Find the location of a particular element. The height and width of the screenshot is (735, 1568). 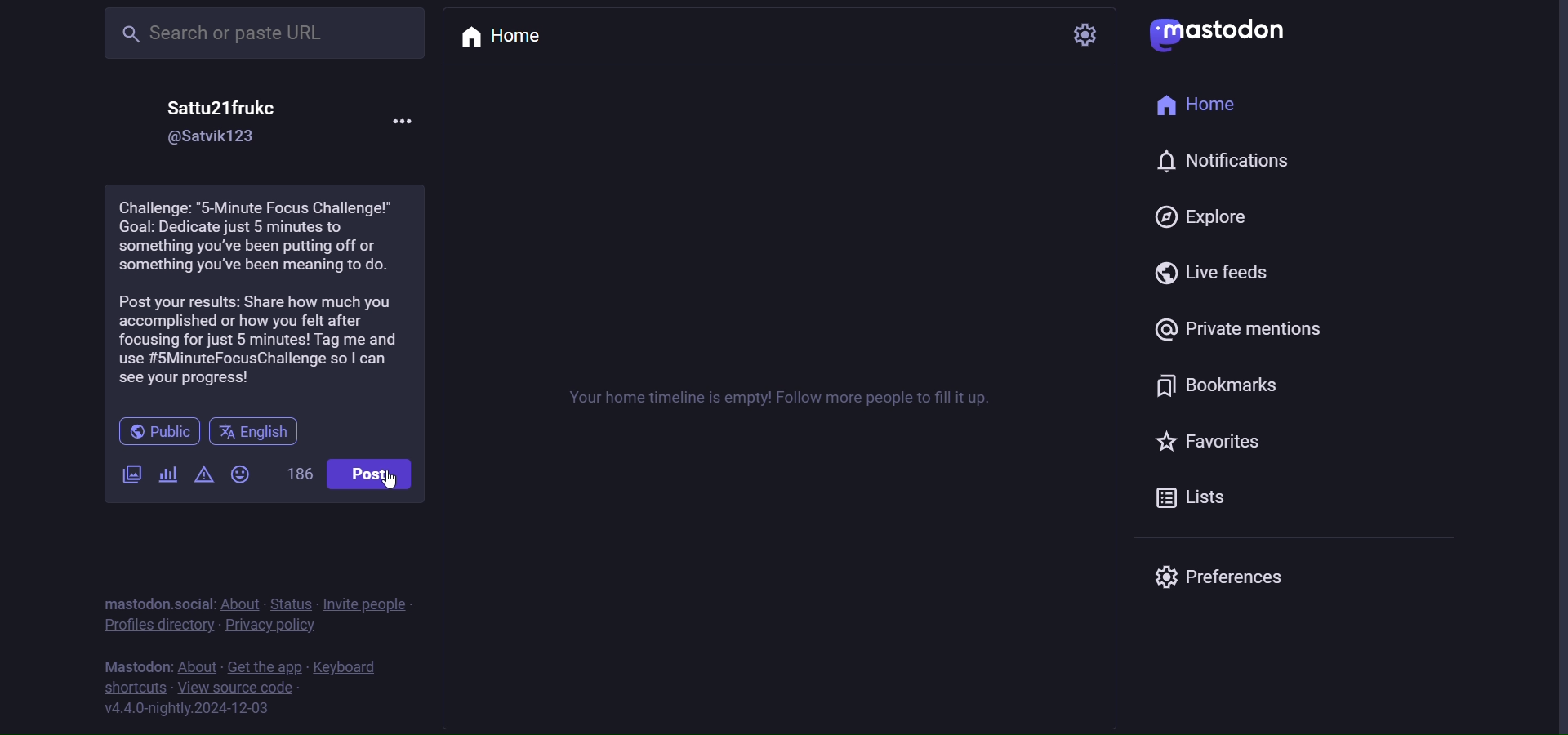

cursor is located at coordinates (398, 485).